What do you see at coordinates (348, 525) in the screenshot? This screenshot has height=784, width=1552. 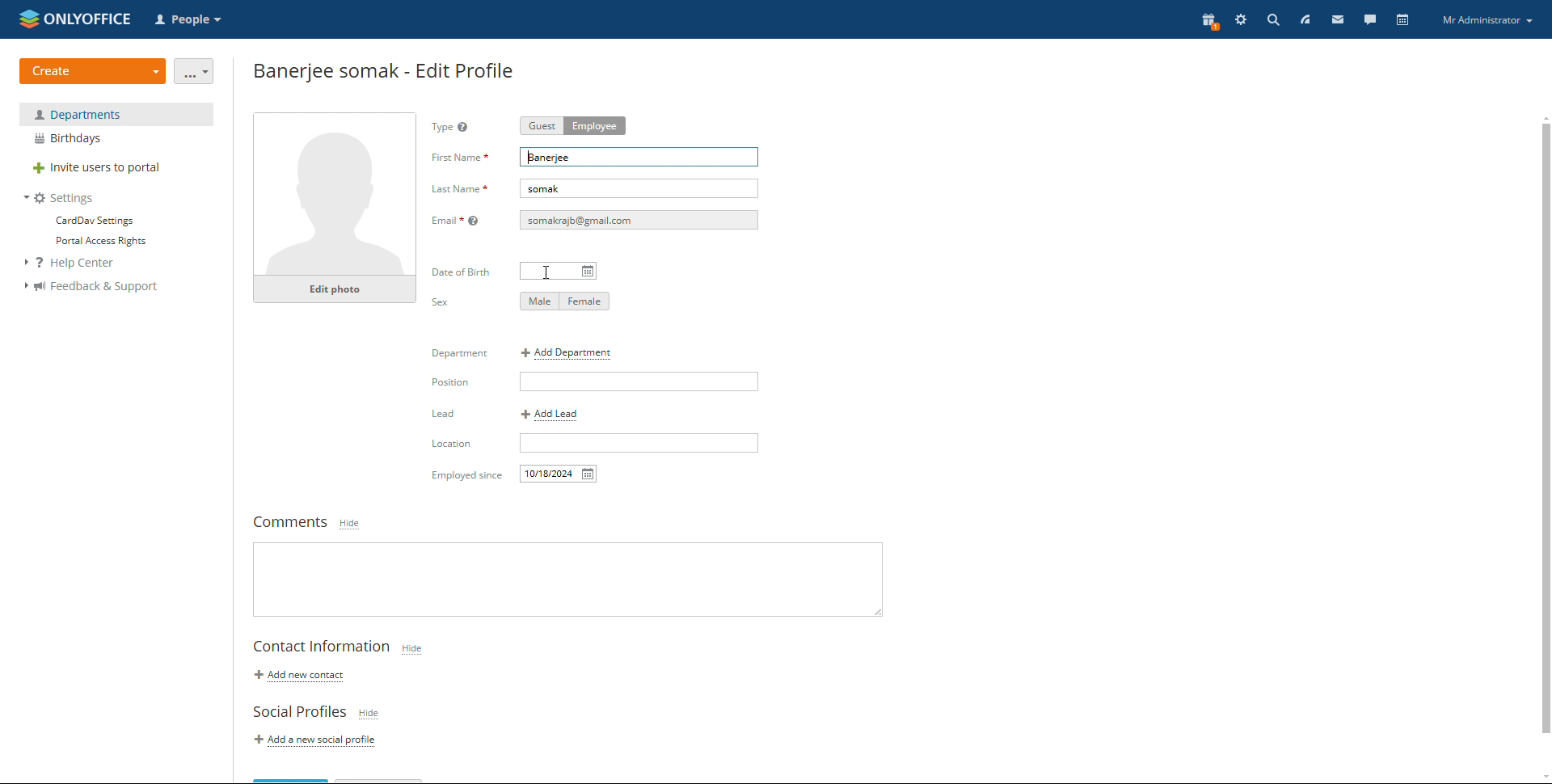 I see `hide` at bounding box center [348, 525].